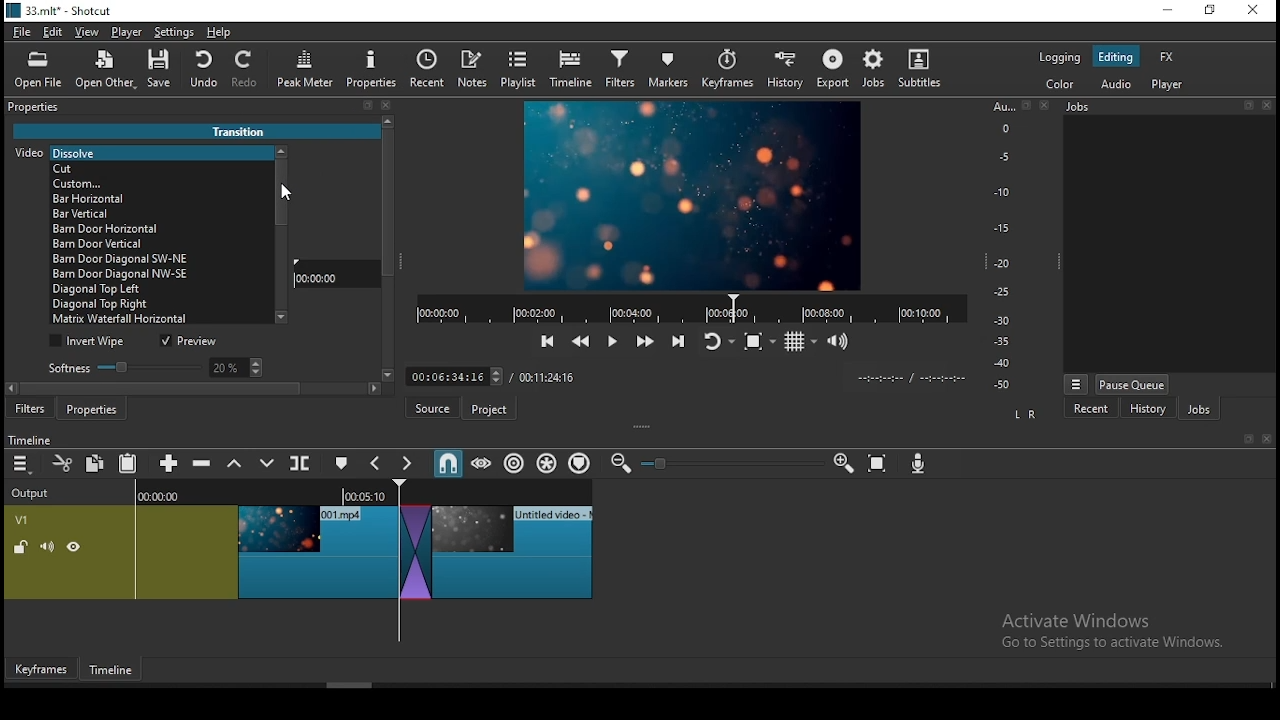 Image resolution: width=1280 pixels, height=720 pixels. Describe the element at coordinates (163, 170) in the screenshot. I see `transition option` at that location.